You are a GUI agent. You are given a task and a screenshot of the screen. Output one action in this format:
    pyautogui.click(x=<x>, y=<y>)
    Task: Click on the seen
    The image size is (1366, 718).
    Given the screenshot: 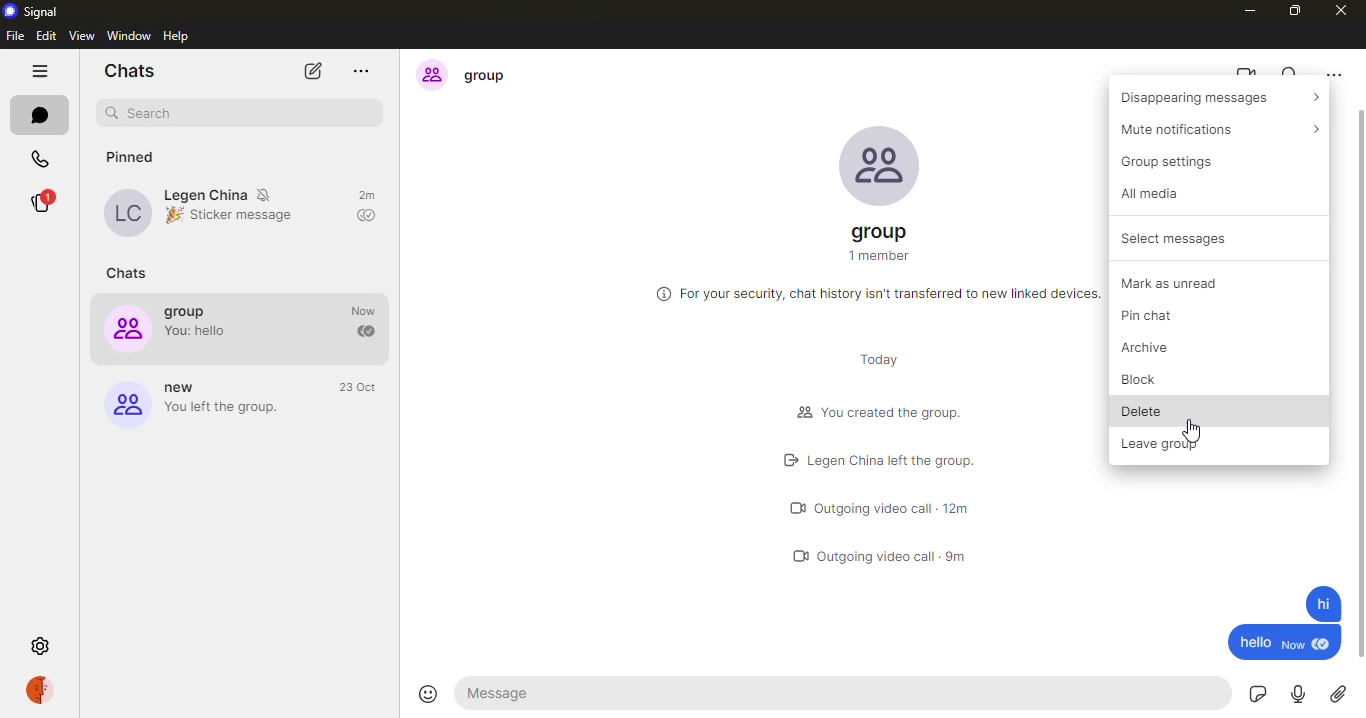 What is the action you would take?
    pyautogui.click(x=1328, y=647)
    